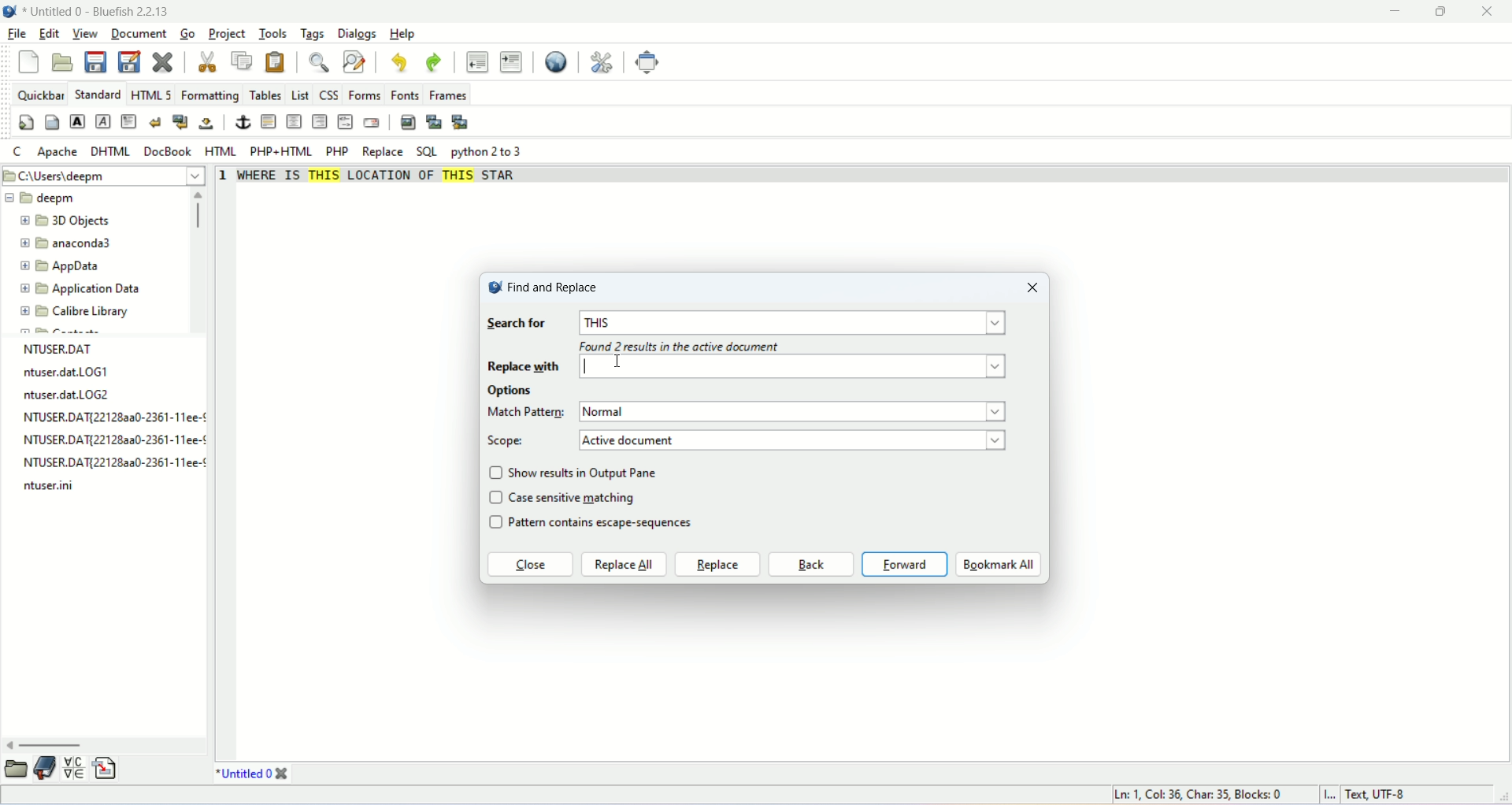  What do you see at coordinates (180, 121) in the screenshot?
I see `break and clear` at bounding box center [180, 121].